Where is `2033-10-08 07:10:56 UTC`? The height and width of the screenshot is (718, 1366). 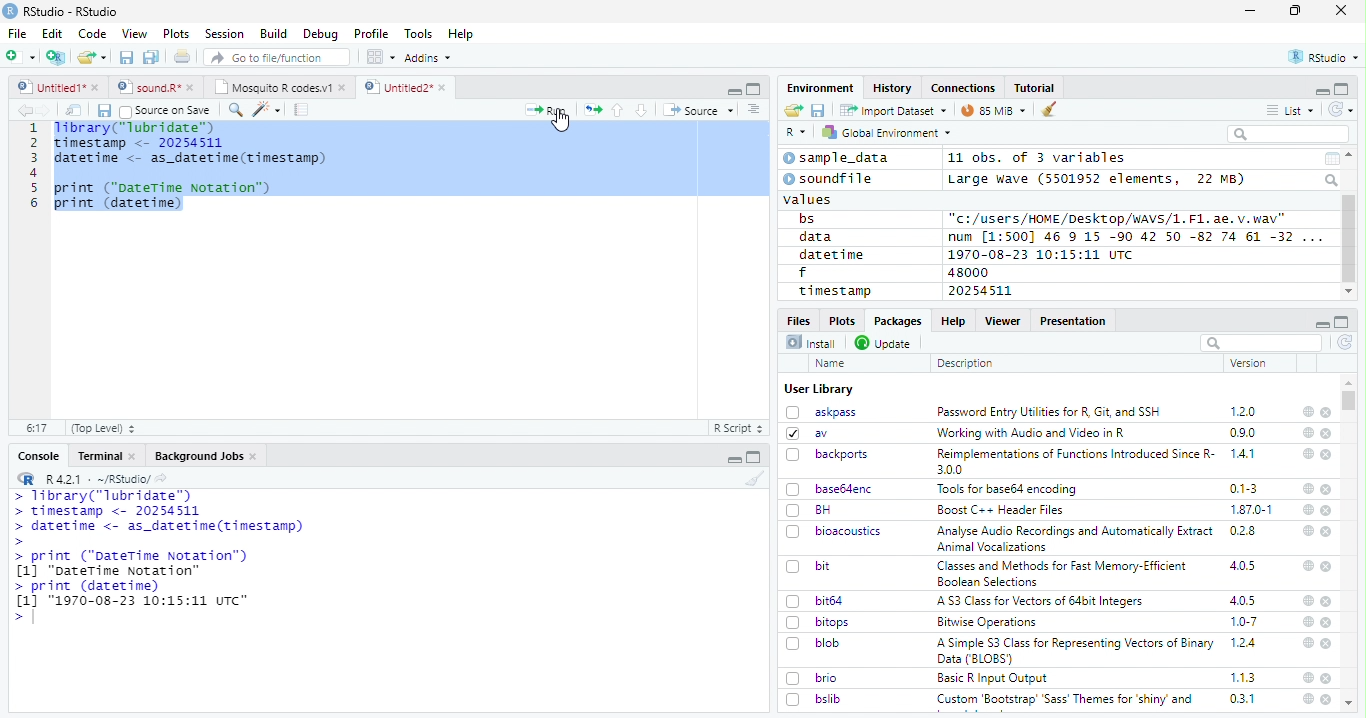
2033-10-08 07:10:56 UTC is located at coordinates (1042, 254).